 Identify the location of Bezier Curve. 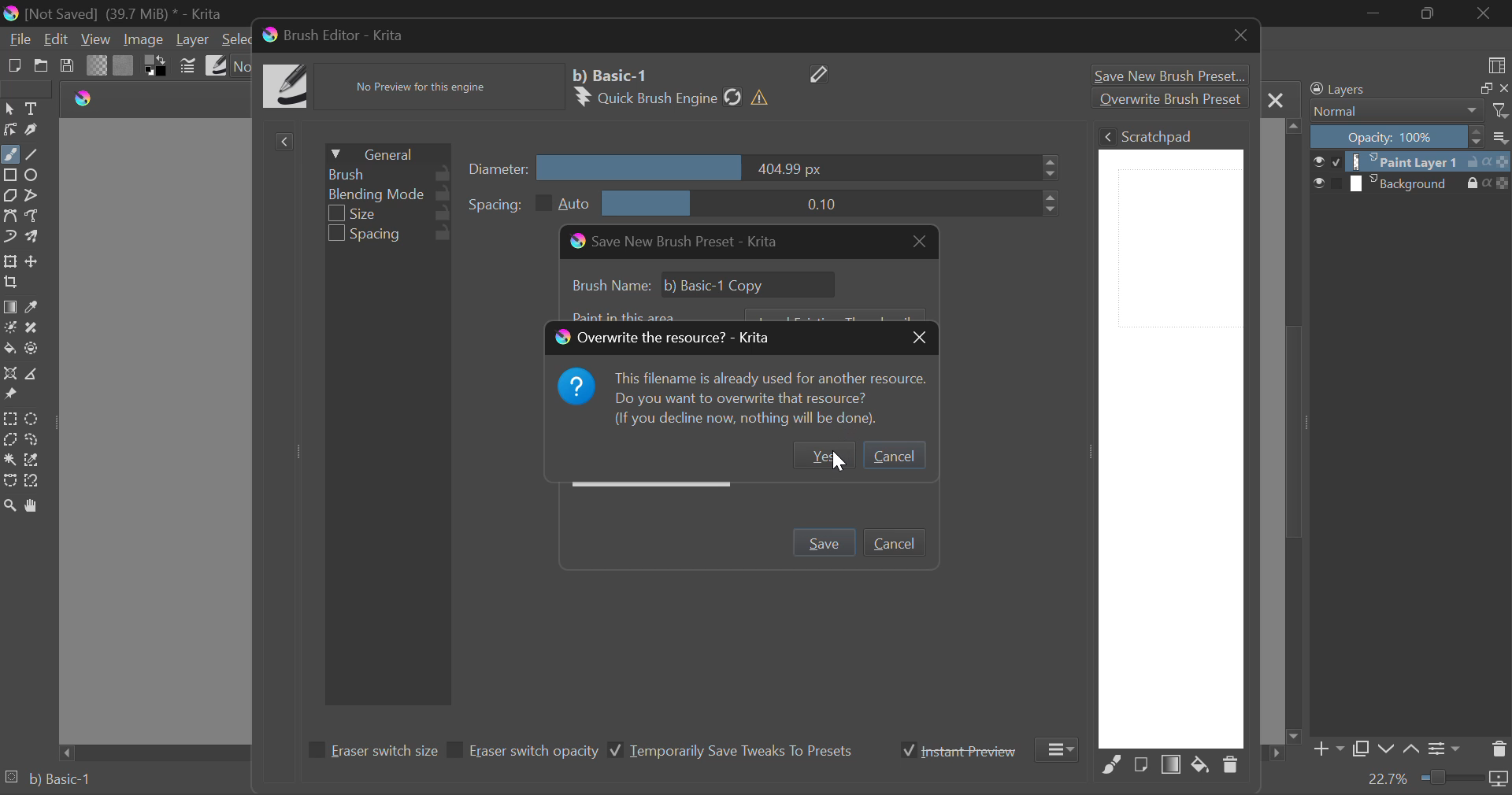
(13, 216).